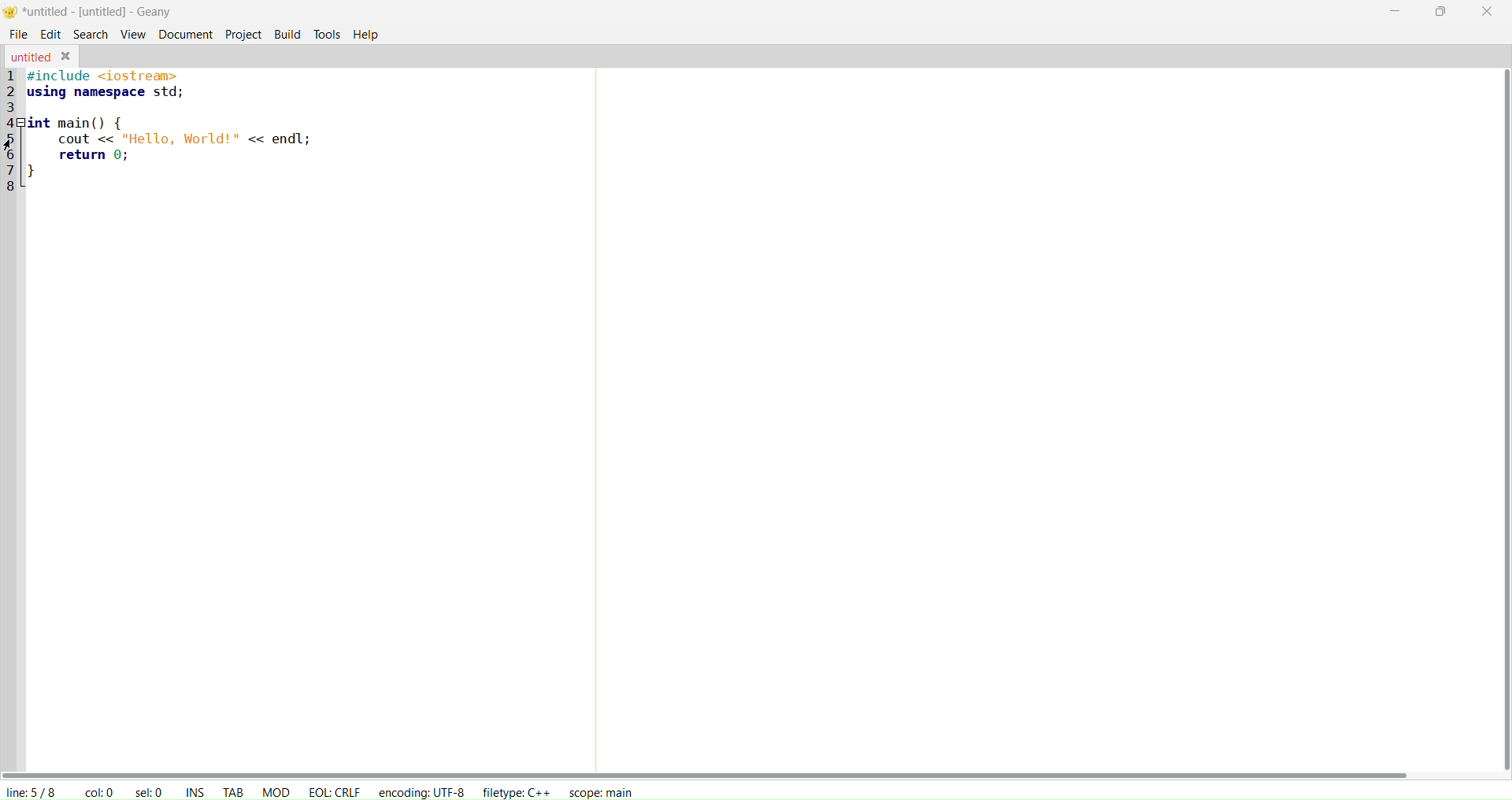 This screenshot has height=800, width=1512. I want to click on ins, so click(195, 791).